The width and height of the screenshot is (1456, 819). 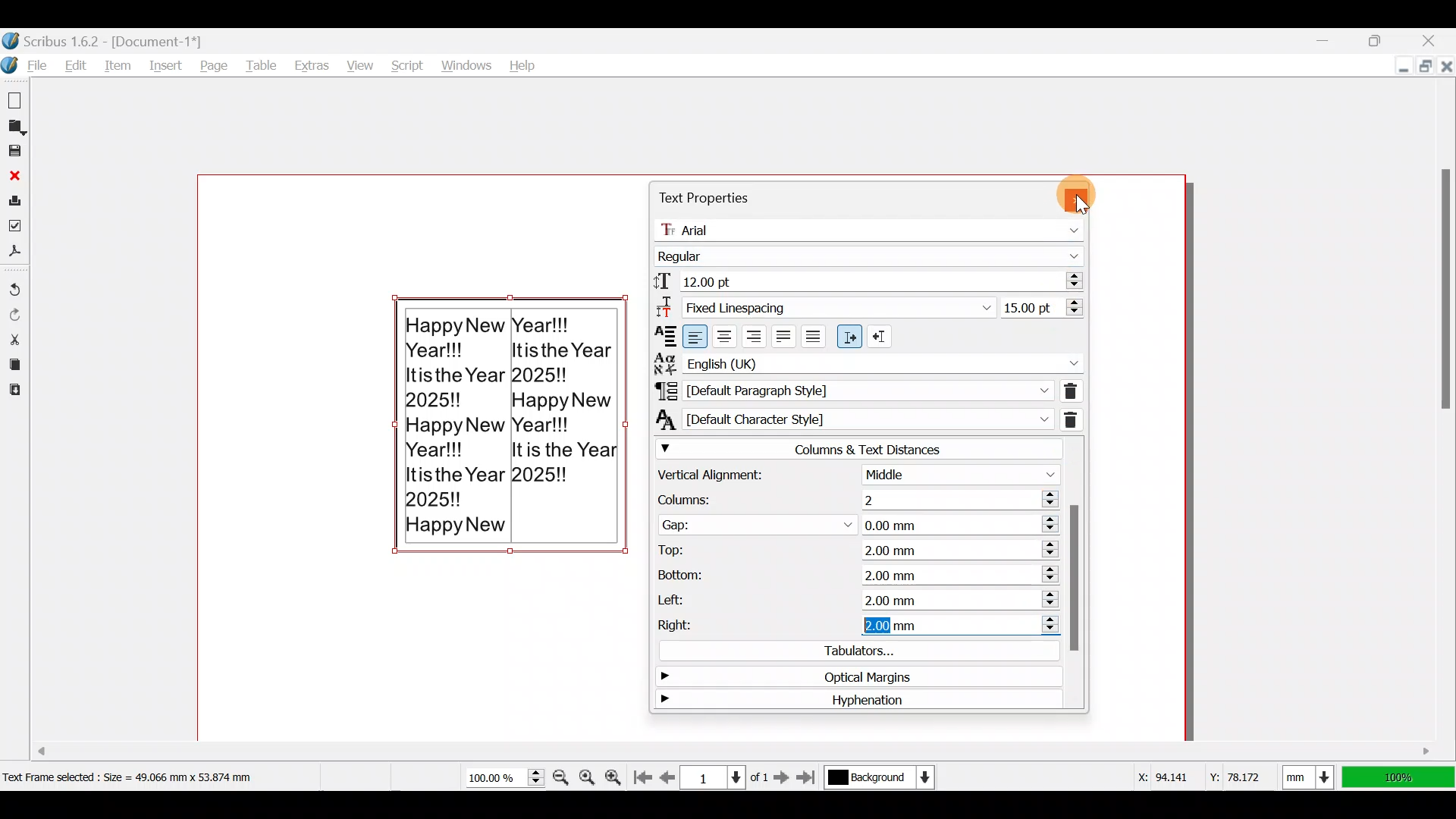 What do you see at coordinates (1441, 418) in the screenshot?
I see `Scroll bar` at bounding box center [1441, 418].